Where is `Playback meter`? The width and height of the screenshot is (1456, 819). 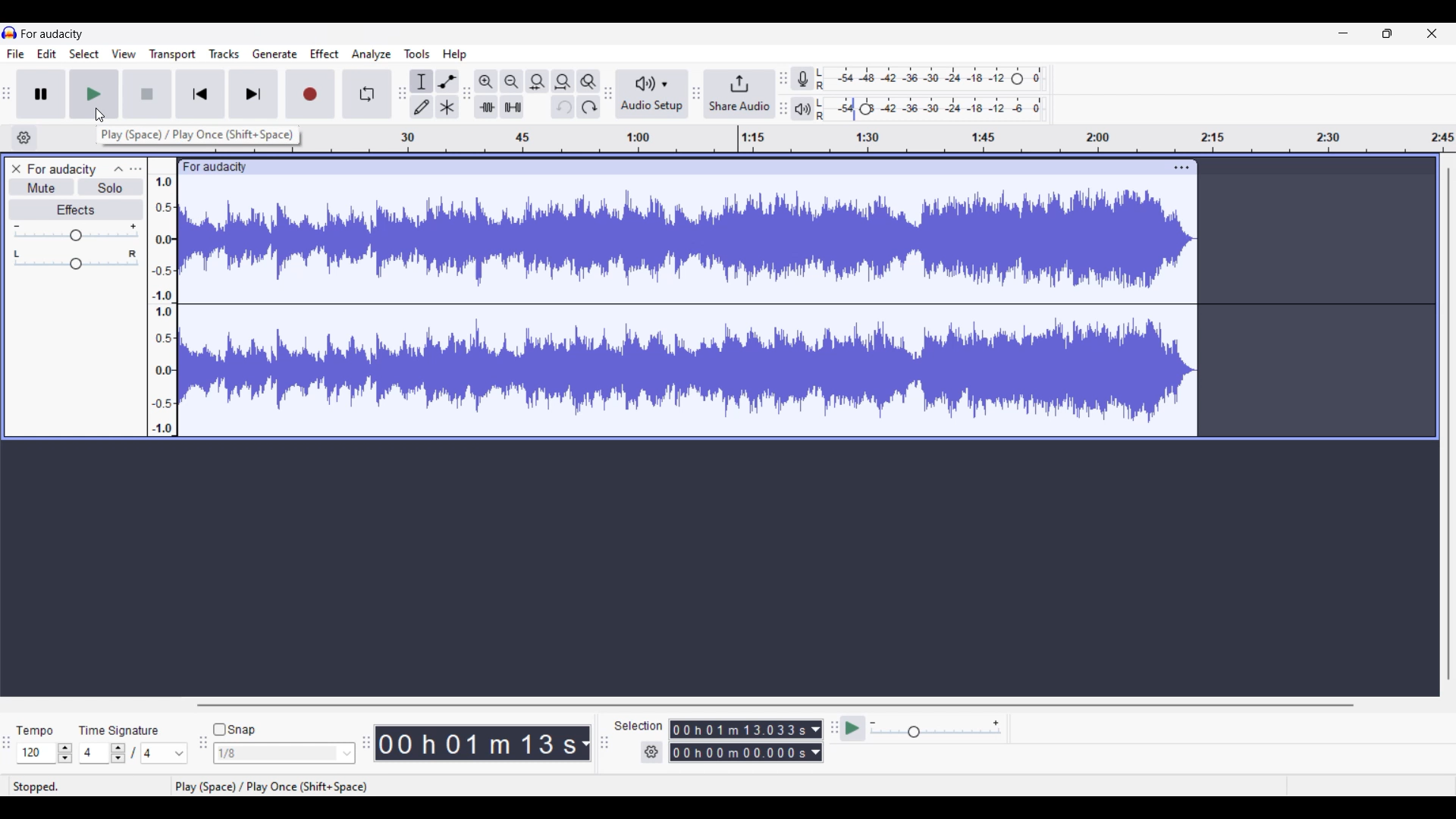
Playback meter is located at coordinates (802, 108).